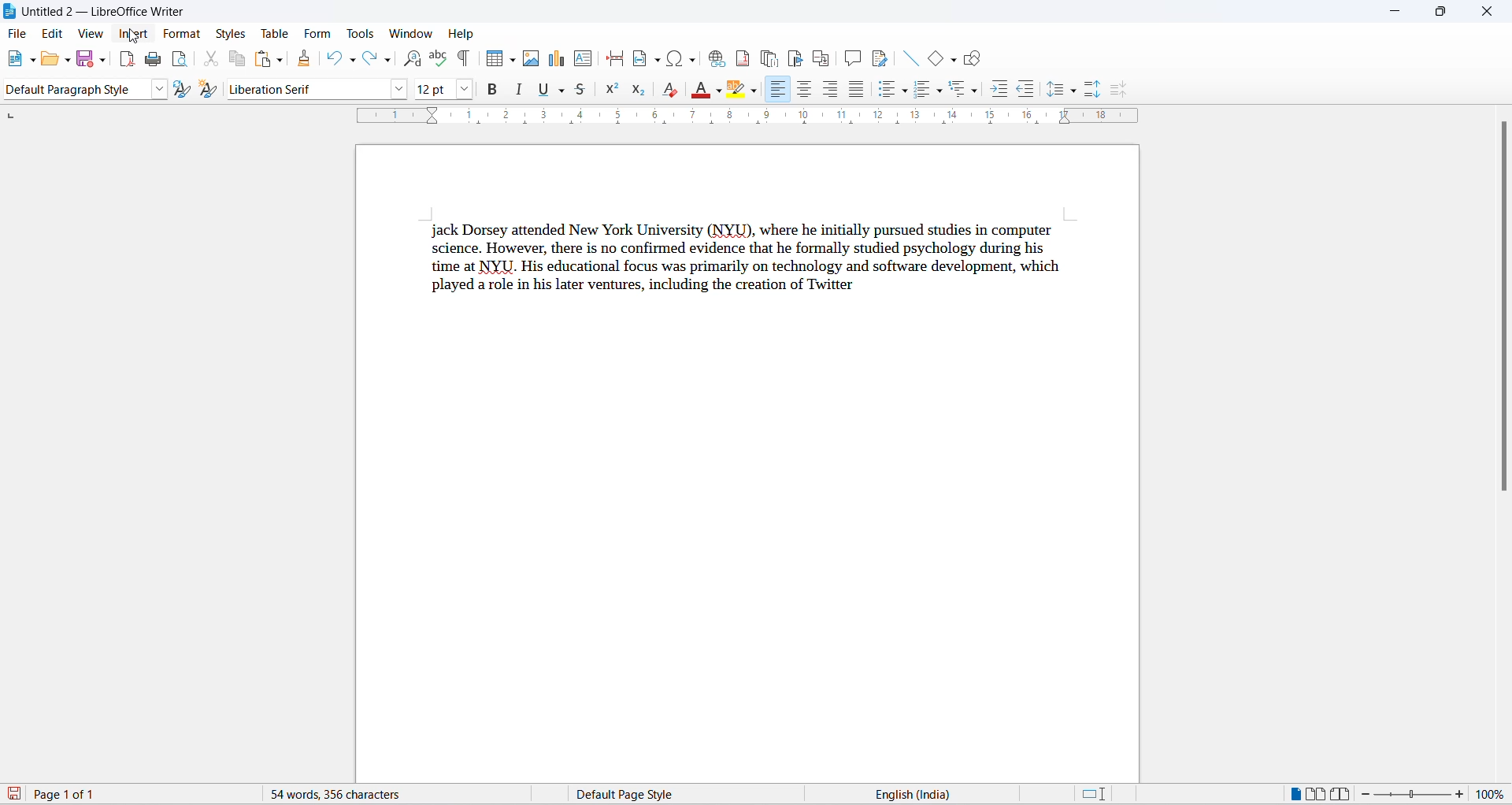  What do you see at coordinates (980, 94) in the screenshot?
I see `select outline options` at bounding box center [980, 94].